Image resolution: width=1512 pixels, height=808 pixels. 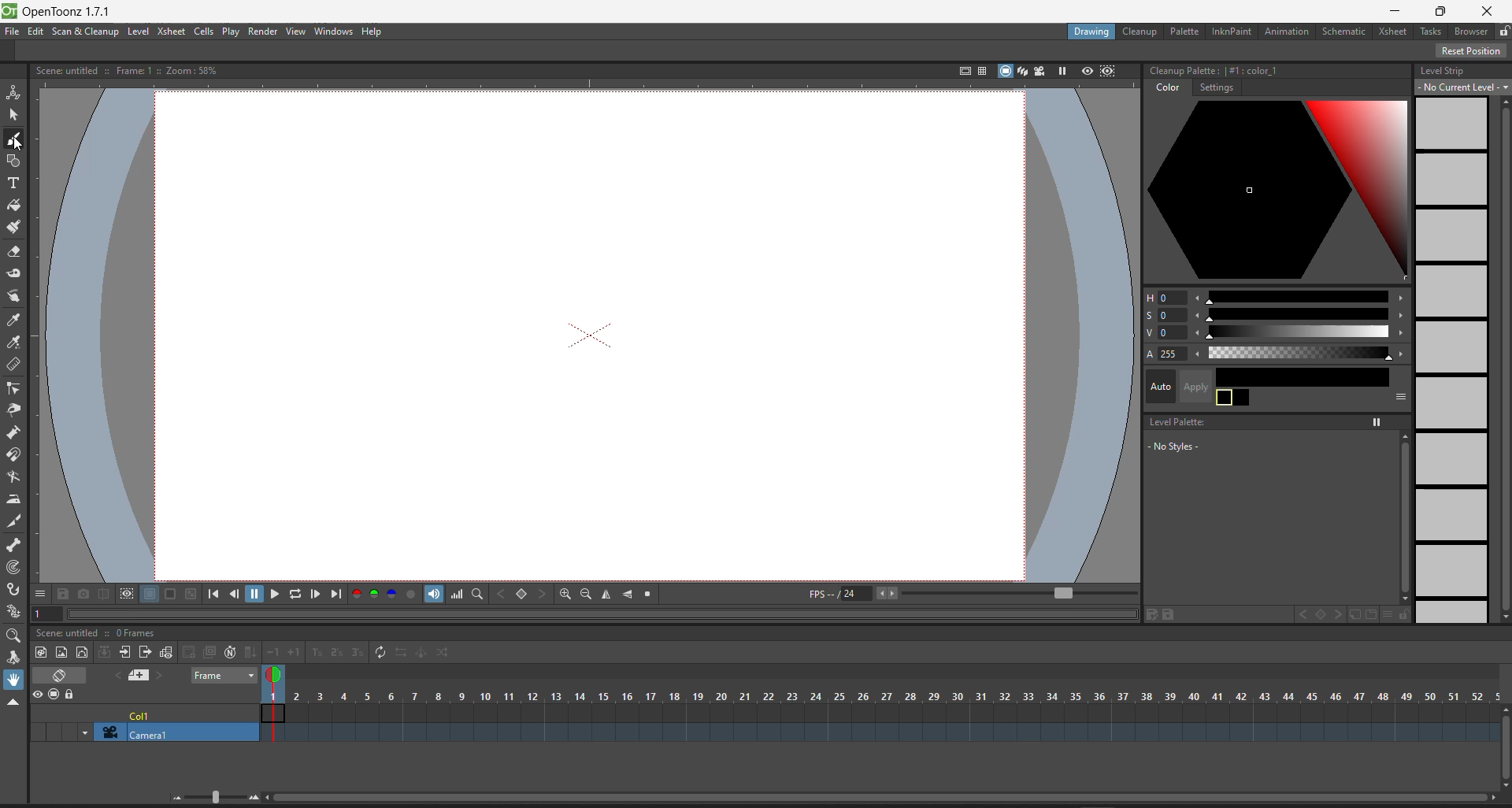 What do you see at coordinates (14, 228) in the screenshot?
I see `paint brush tool` at bounding box center [14, 228].